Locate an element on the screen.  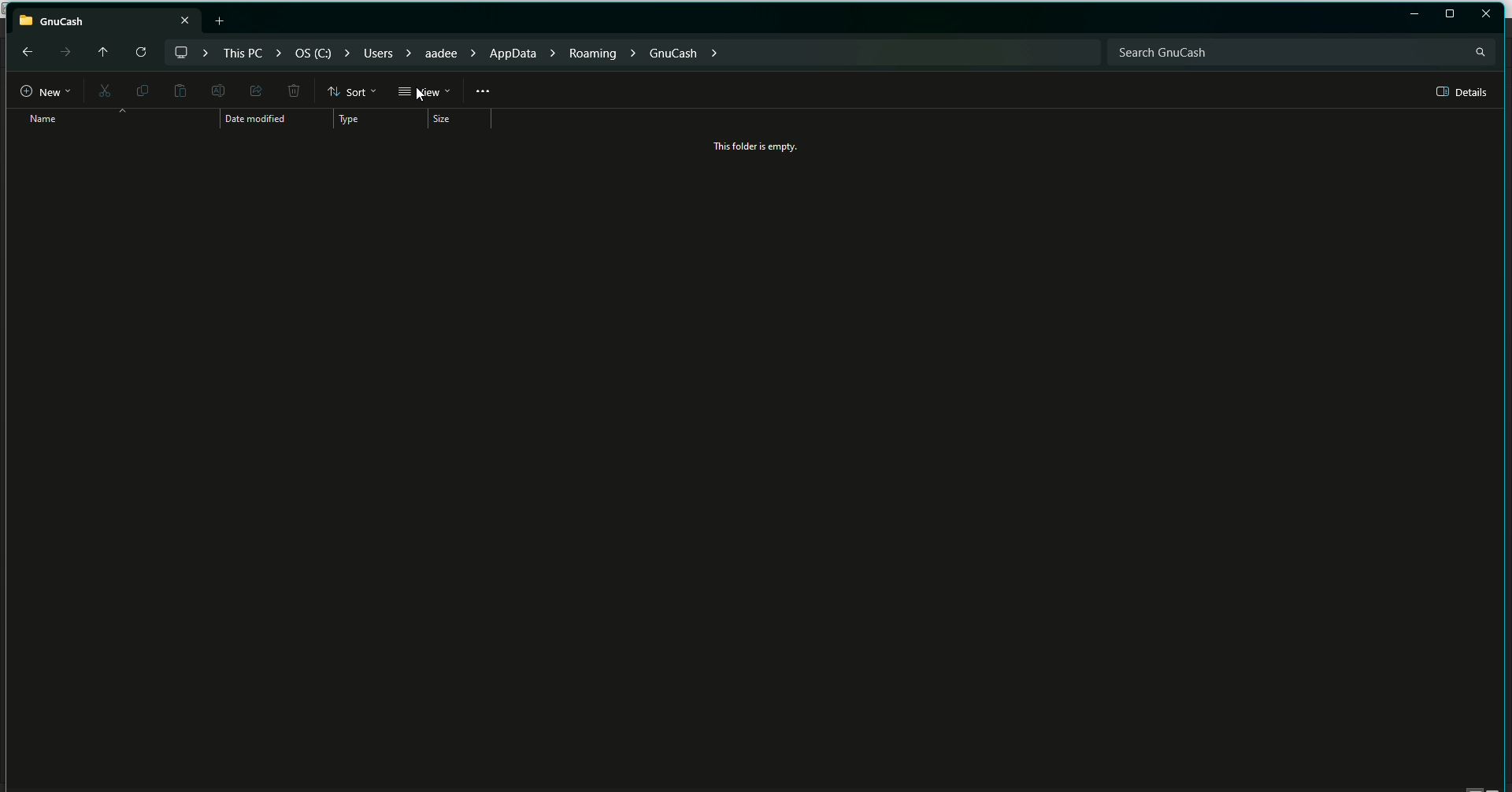
Restore is located at coordinates (1414, 15).